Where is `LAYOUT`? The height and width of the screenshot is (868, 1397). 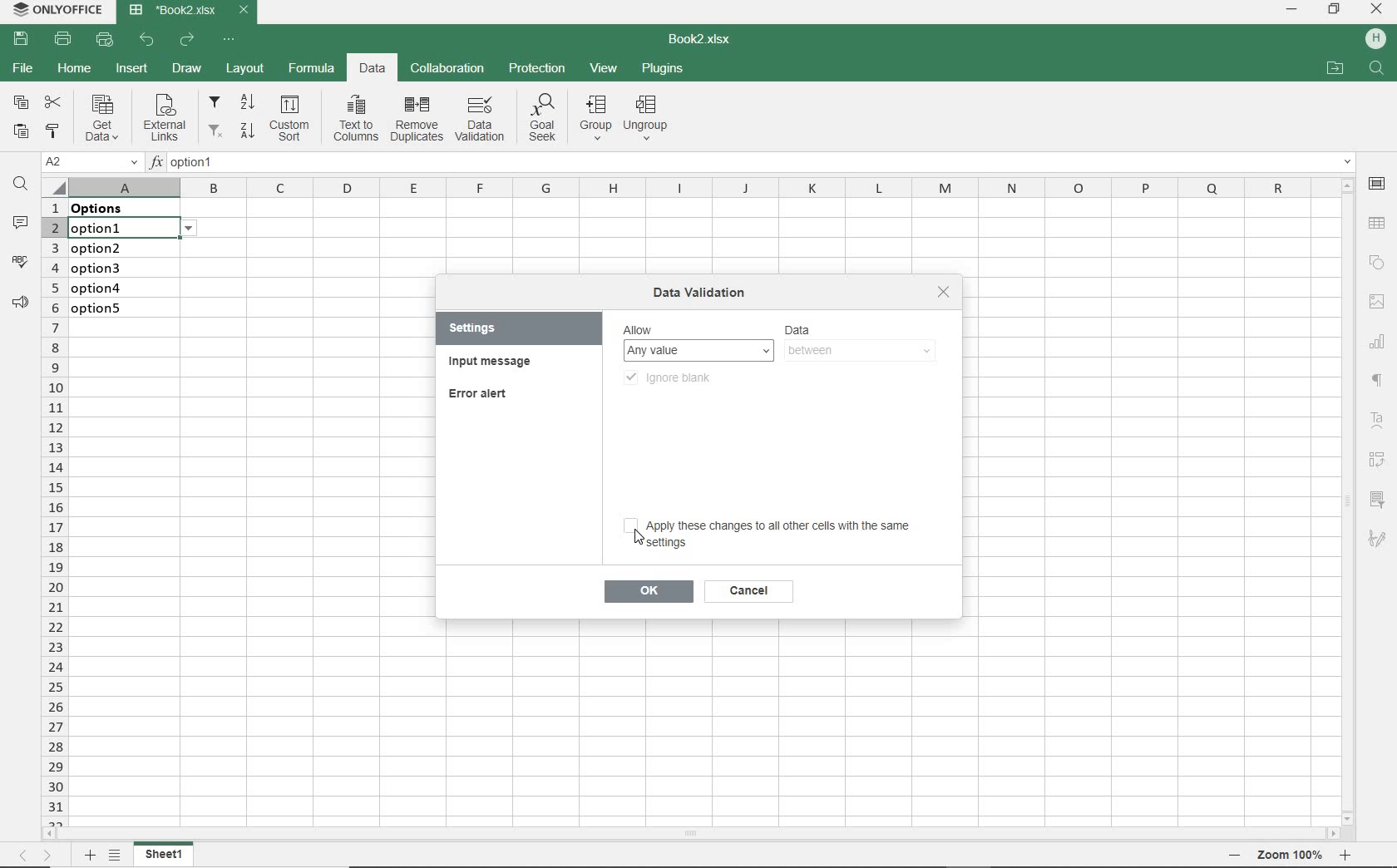
LAYOUT is located at coordinates (245, 68).